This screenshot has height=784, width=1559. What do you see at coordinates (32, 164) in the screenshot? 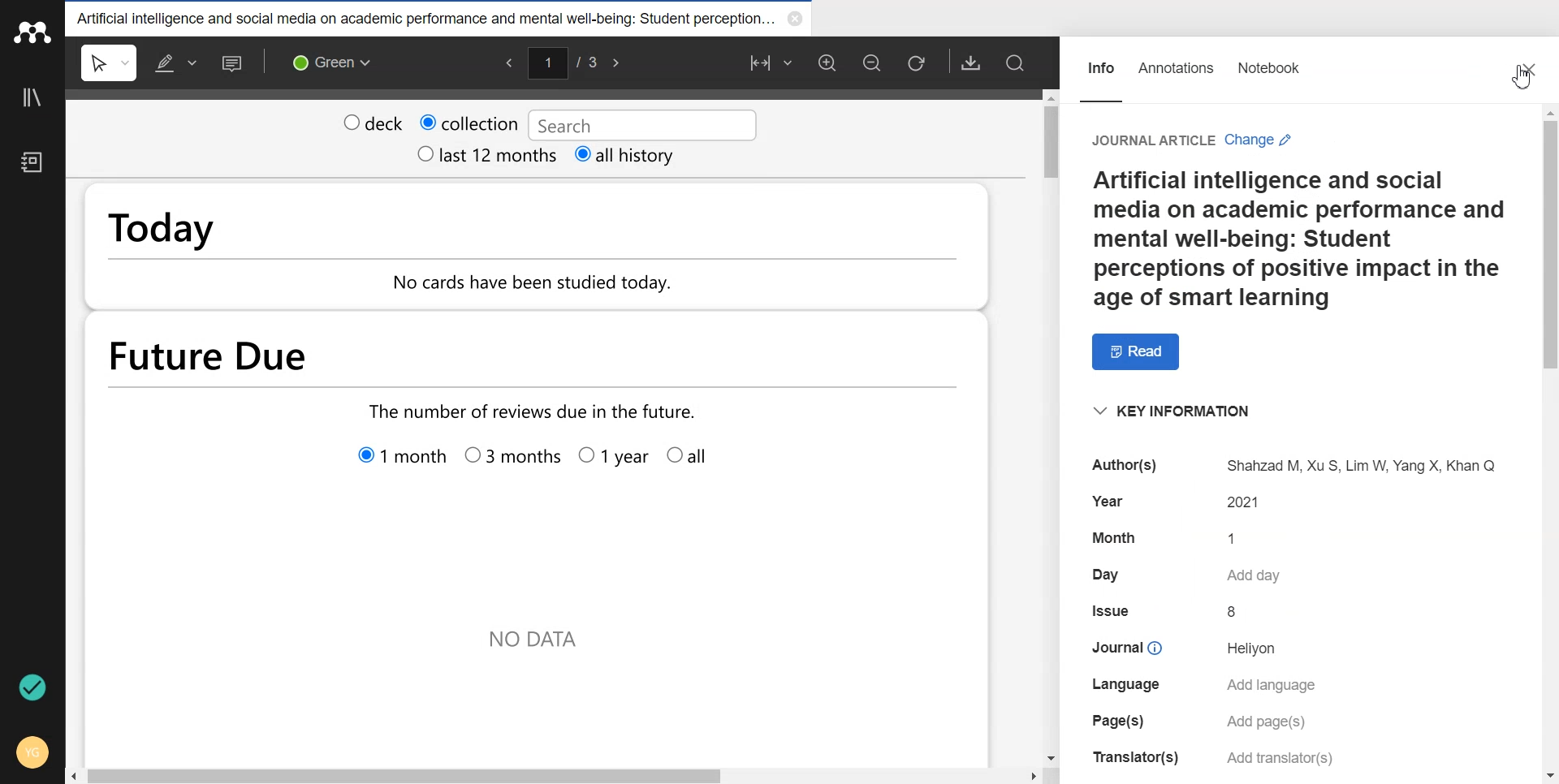
I see `Notebook` at bounding box center [32, 164].